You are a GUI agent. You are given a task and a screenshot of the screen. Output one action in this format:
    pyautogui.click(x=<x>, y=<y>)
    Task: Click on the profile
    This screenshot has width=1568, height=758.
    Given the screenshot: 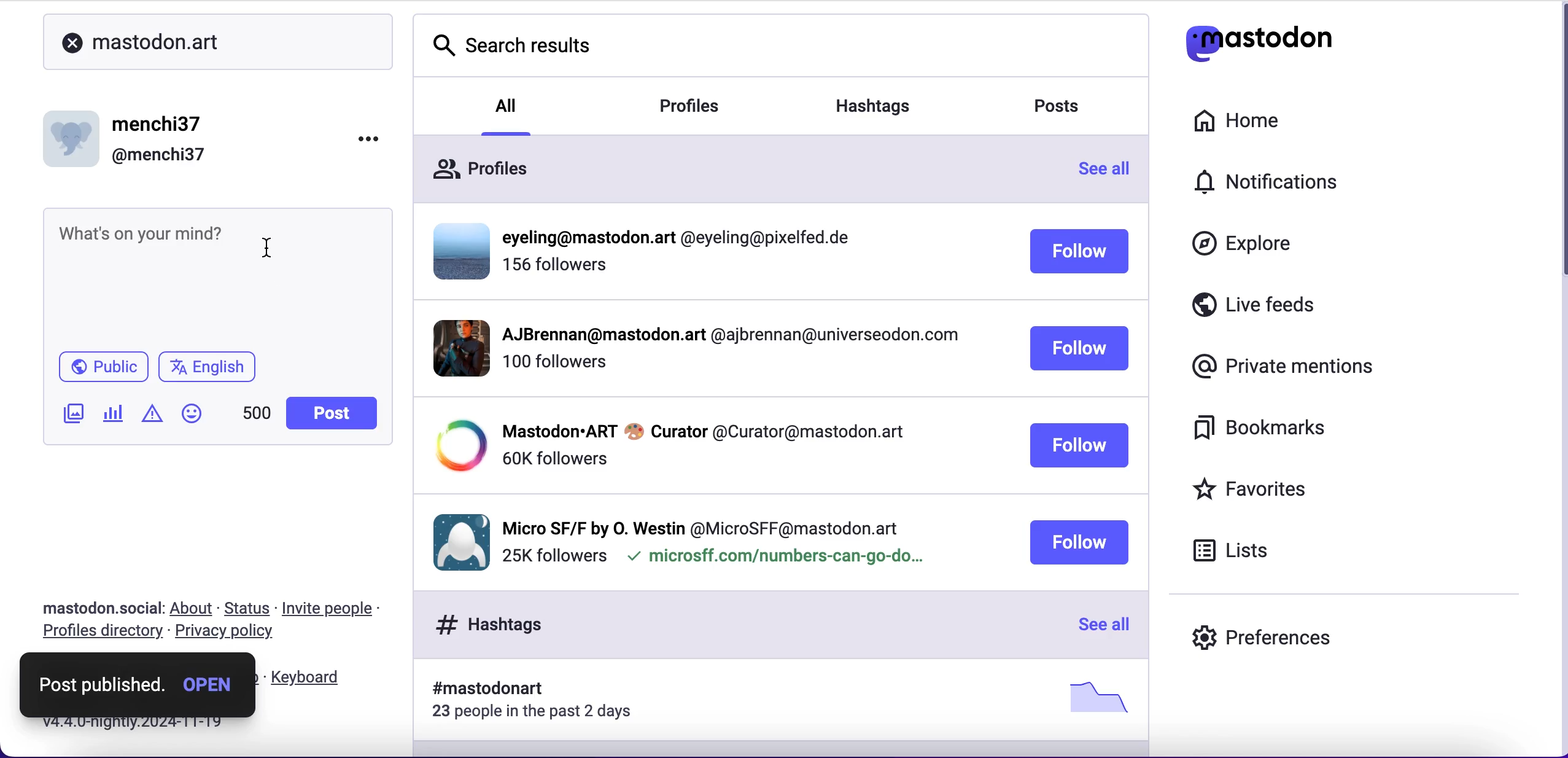 What is the action you would take?
    pyautogui.click(x=702, y=525)
    